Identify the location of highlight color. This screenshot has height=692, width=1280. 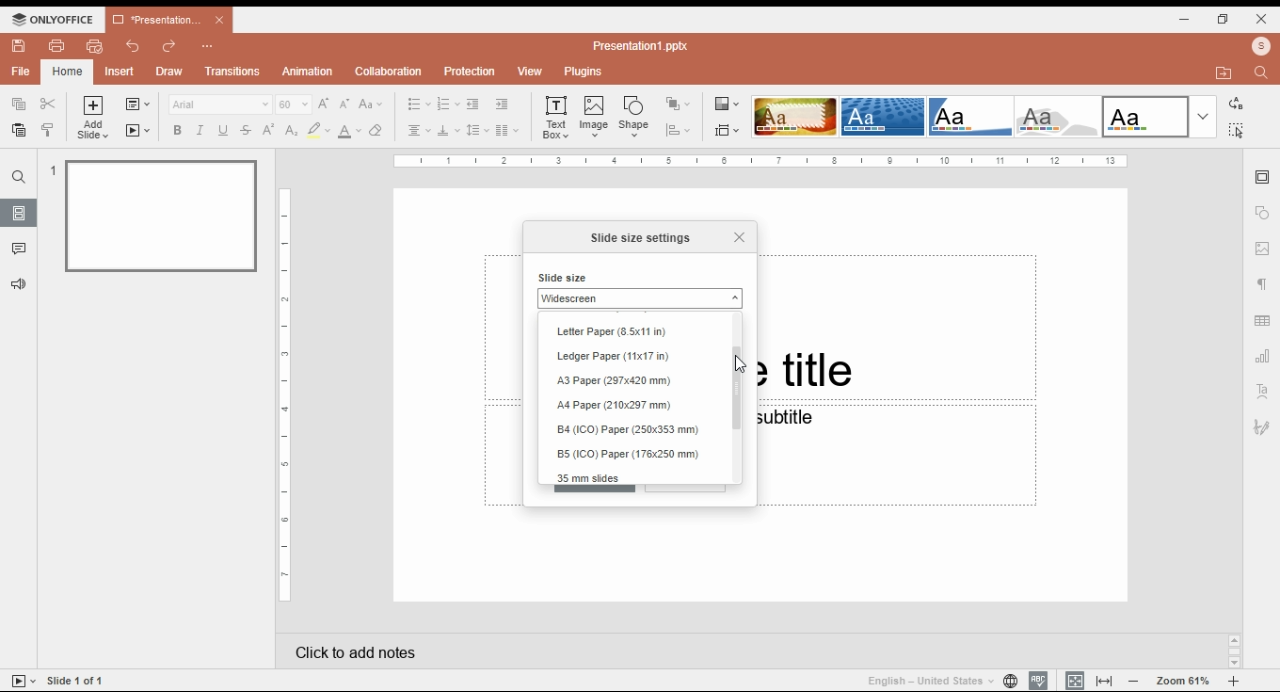
(318, 130).